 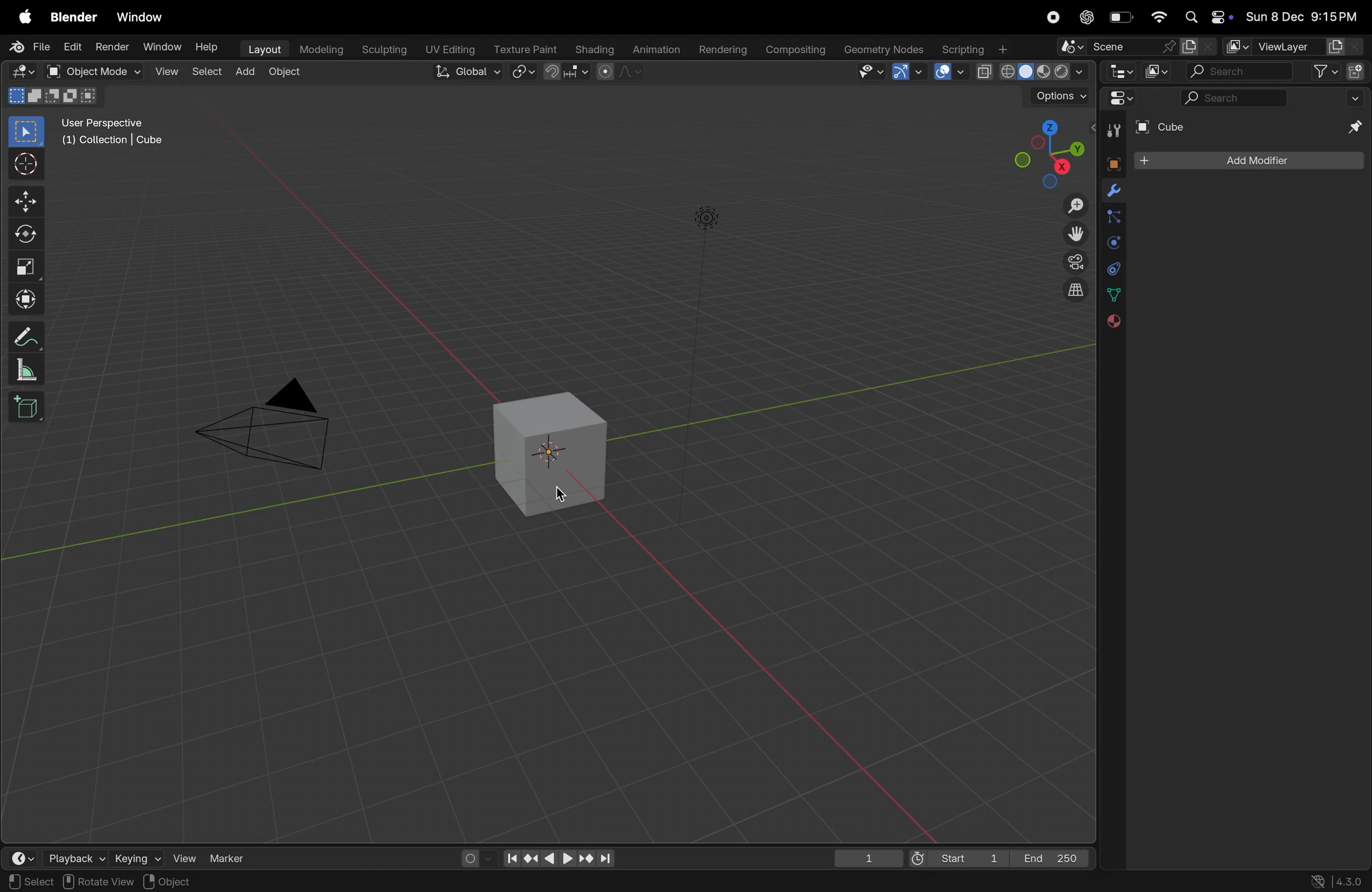 I want to click on copy, so click(x=1198, y=47).